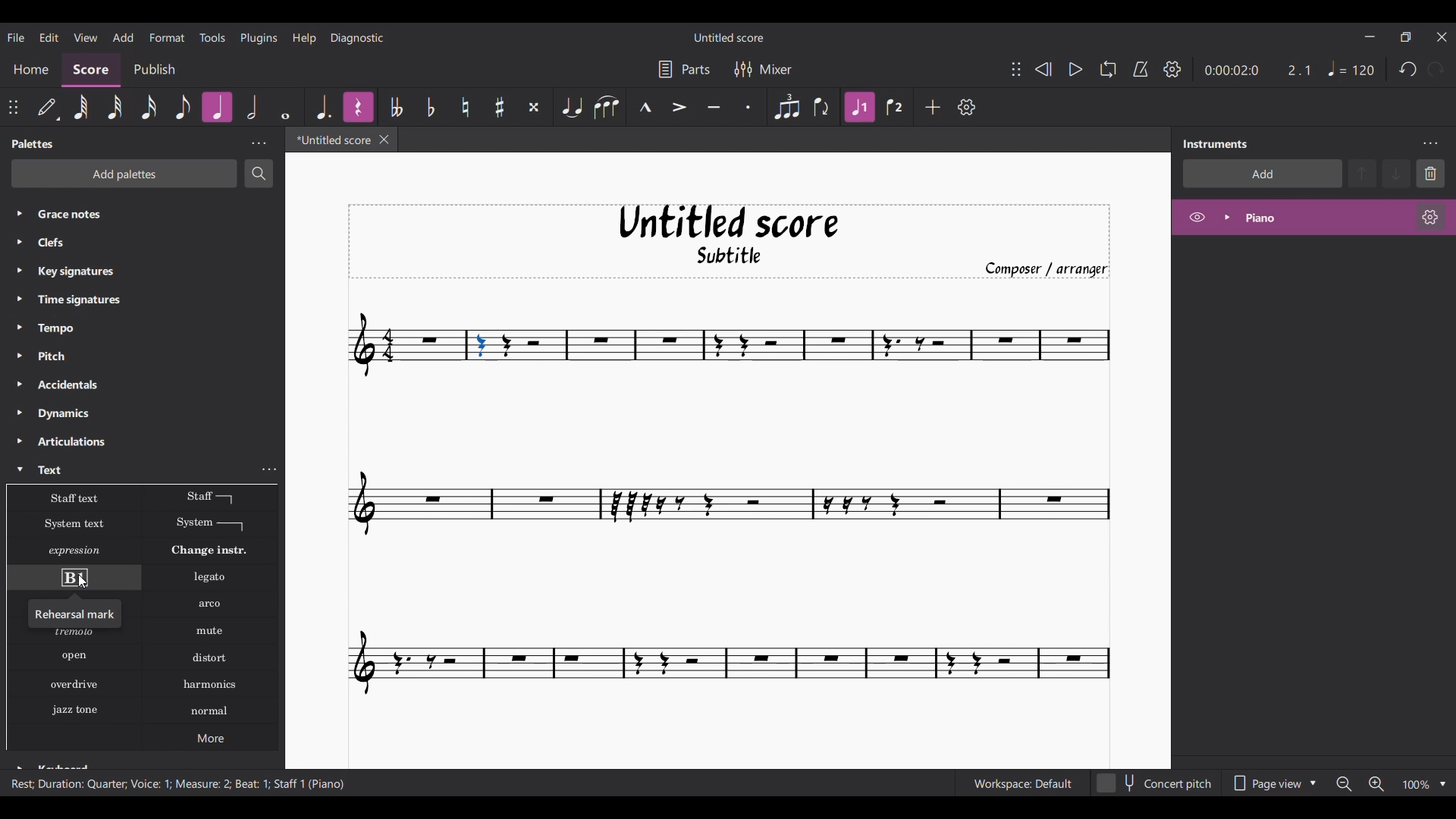 The image size is (1456, 819). What do you see at coordinates (124, 37) in the screenshot?
I see `Add menu` at bounding box center [124, 37].